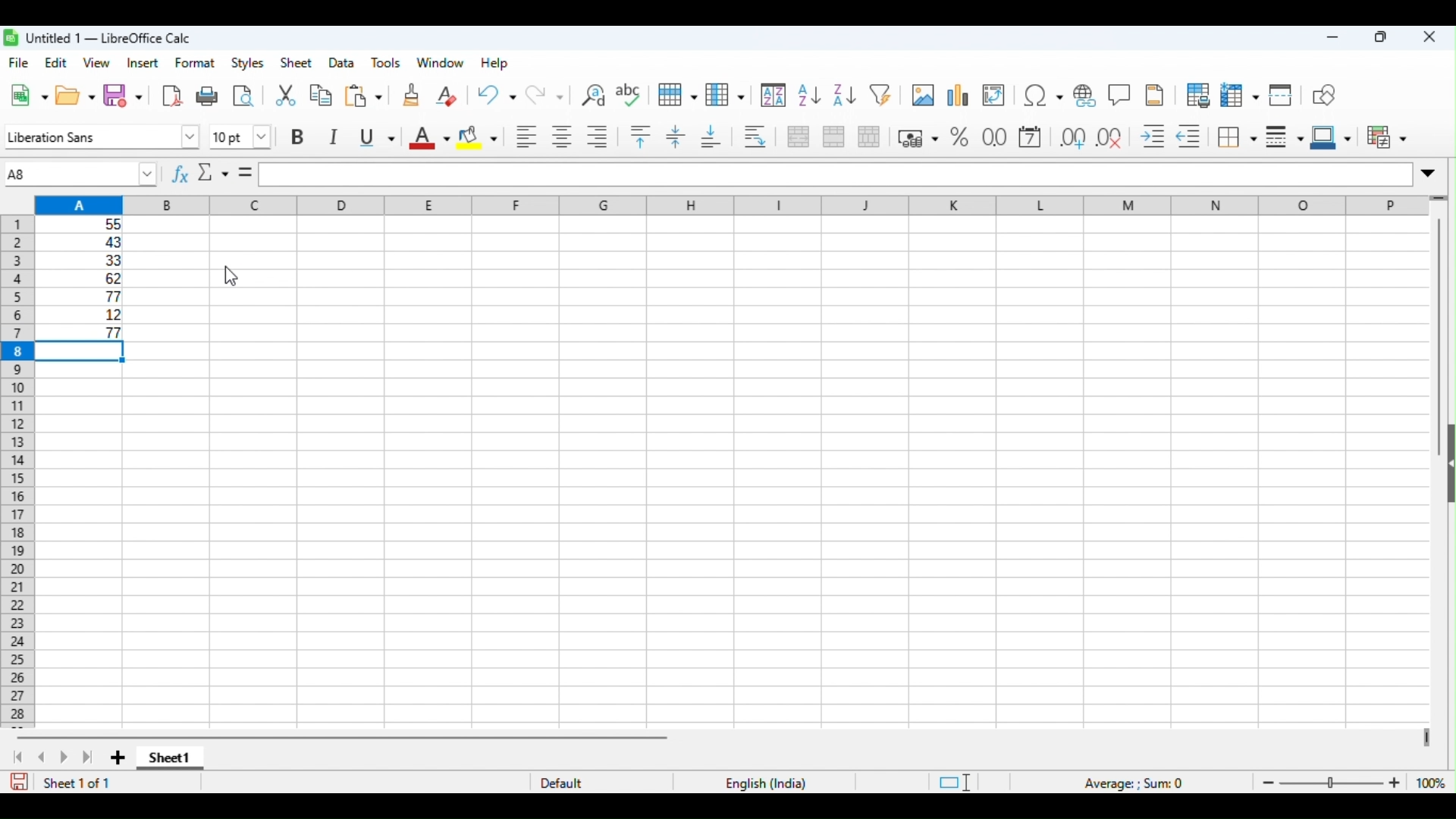 Image resolution: width=1456 pixels, height=819 pixels. Describe the element at coordinates (1438, 199) in the screenshot. I see `drag to view more rows` at that location.